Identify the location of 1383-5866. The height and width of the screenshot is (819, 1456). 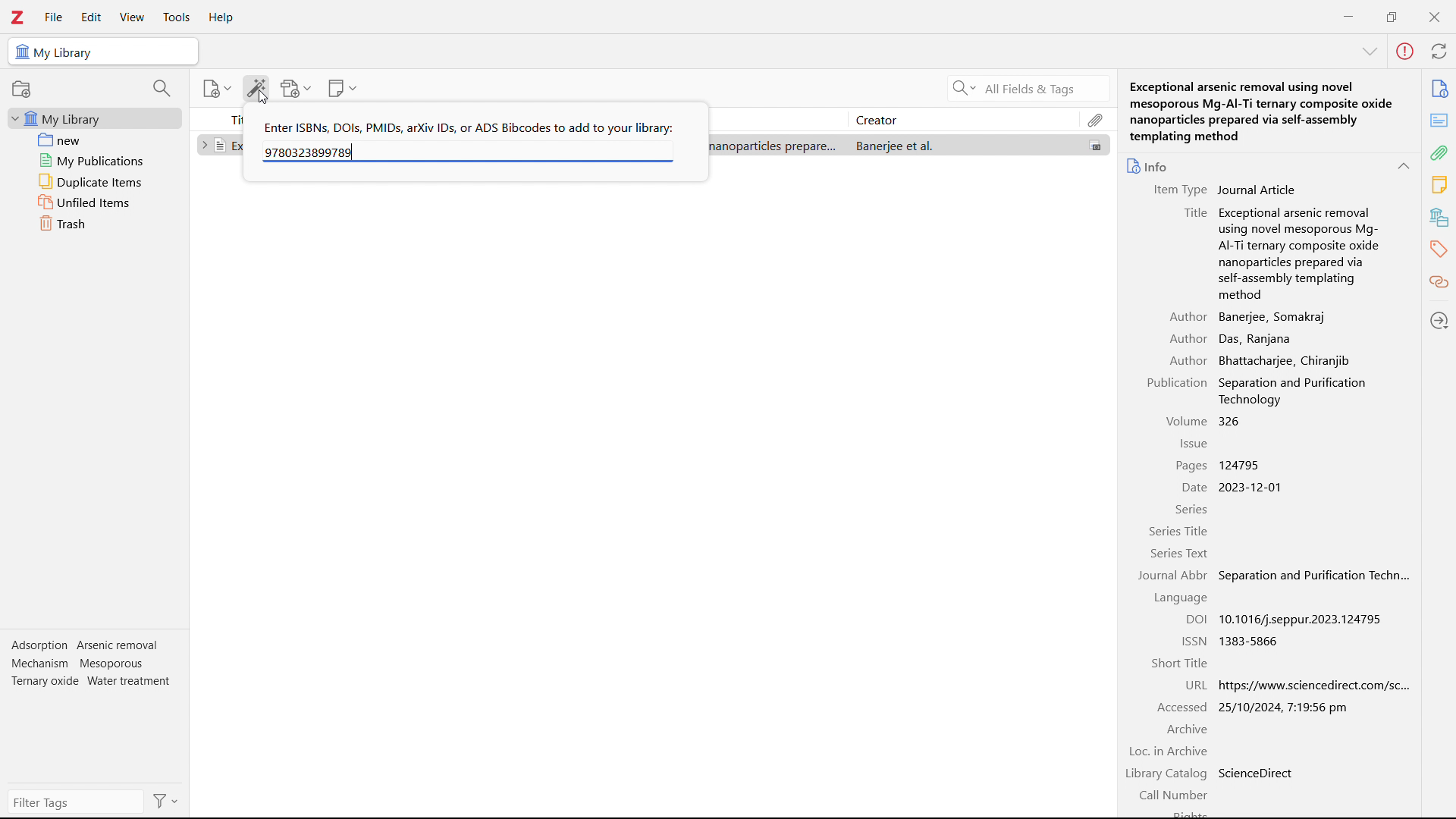
(1251, 641).